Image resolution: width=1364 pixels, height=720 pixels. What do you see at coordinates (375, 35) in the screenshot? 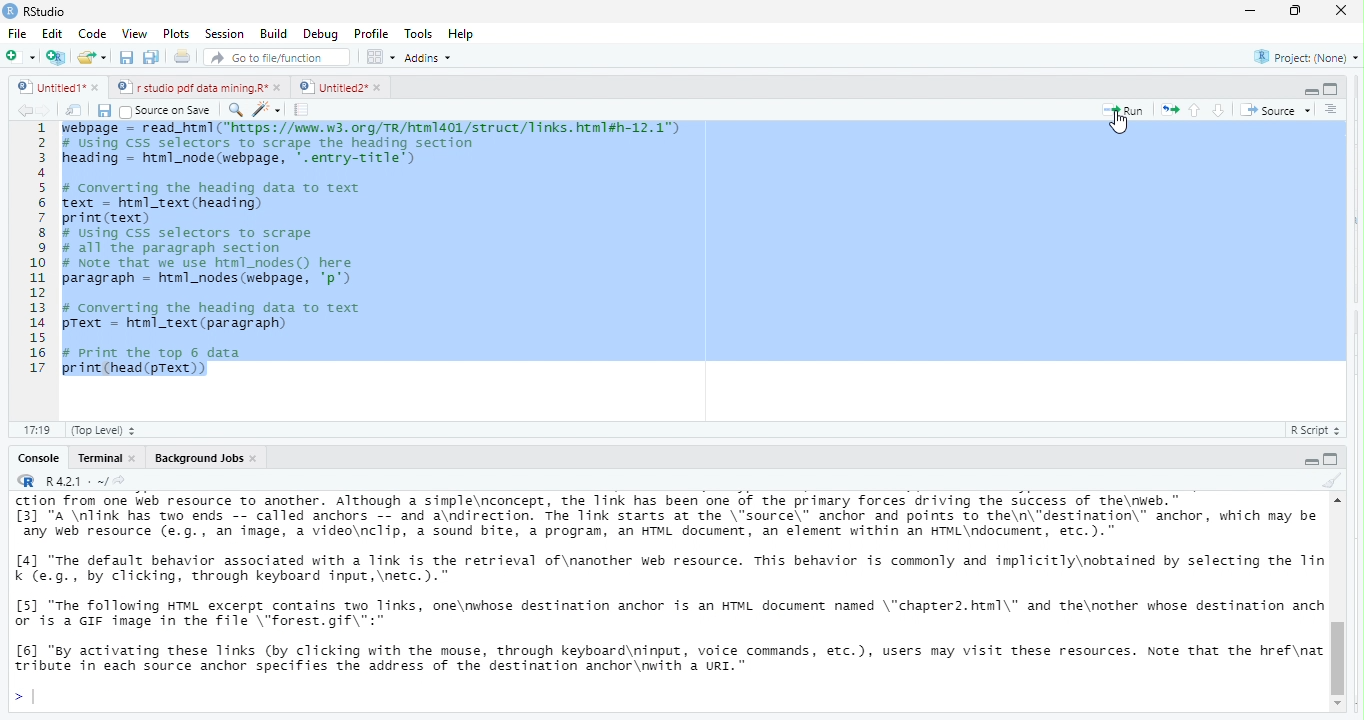
I see `Profile` at bounding box center [375, 35].